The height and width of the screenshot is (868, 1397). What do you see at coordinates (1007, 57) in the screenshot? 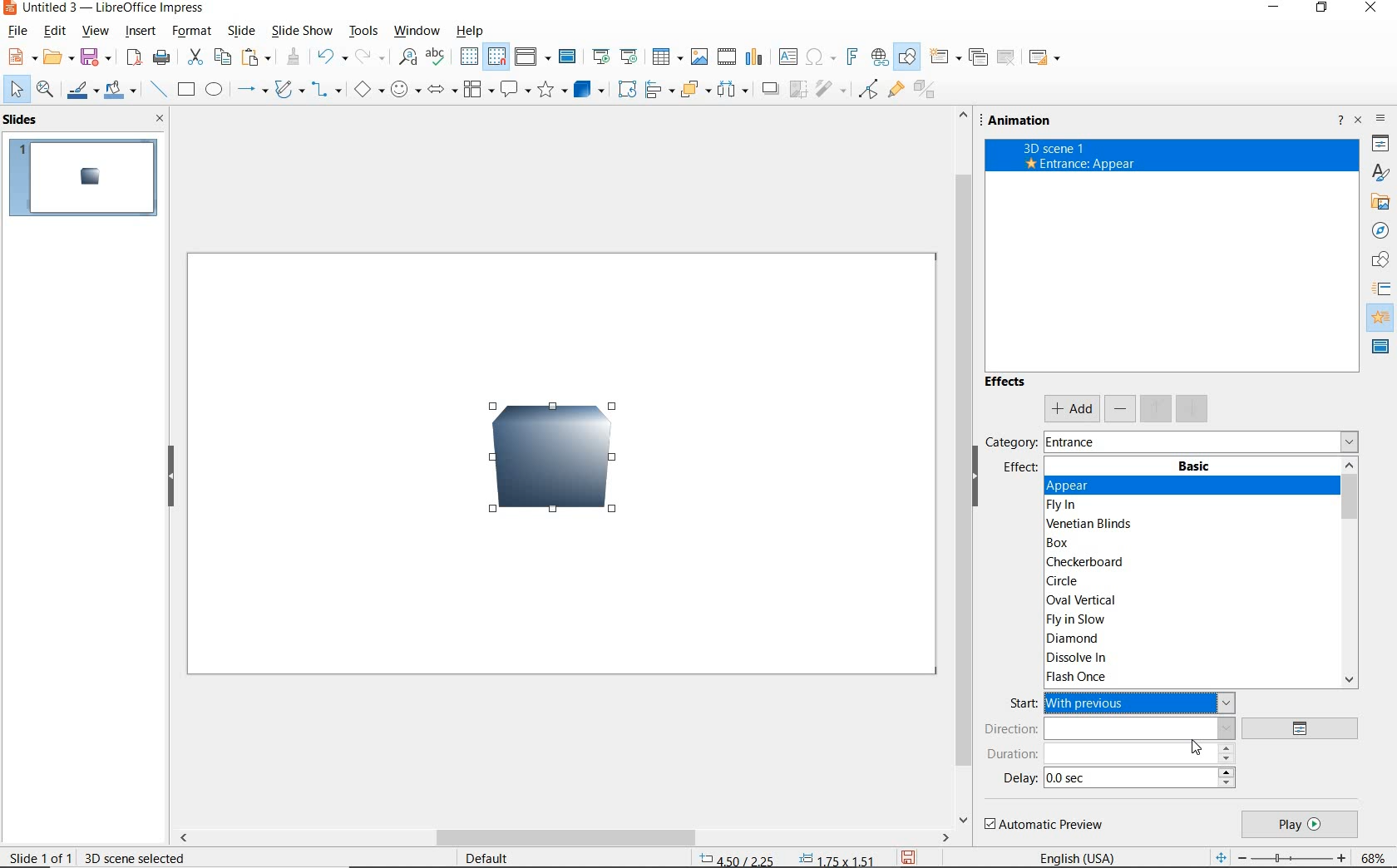
I see `delete slide` at bounding box center [1007, 57].